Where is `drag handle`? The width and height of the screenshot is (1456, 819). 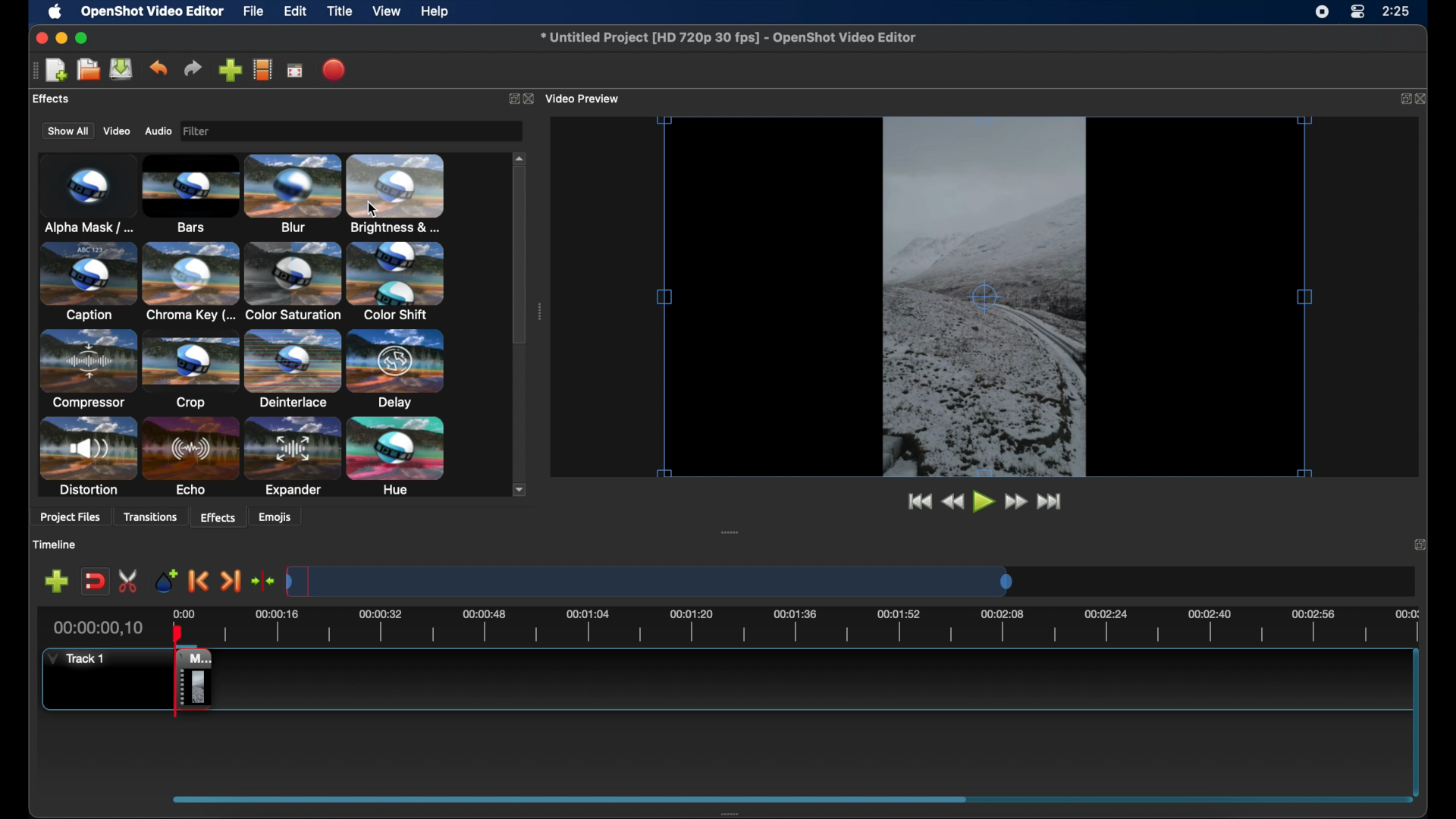 drag handle is located at coordinates (33, 71).